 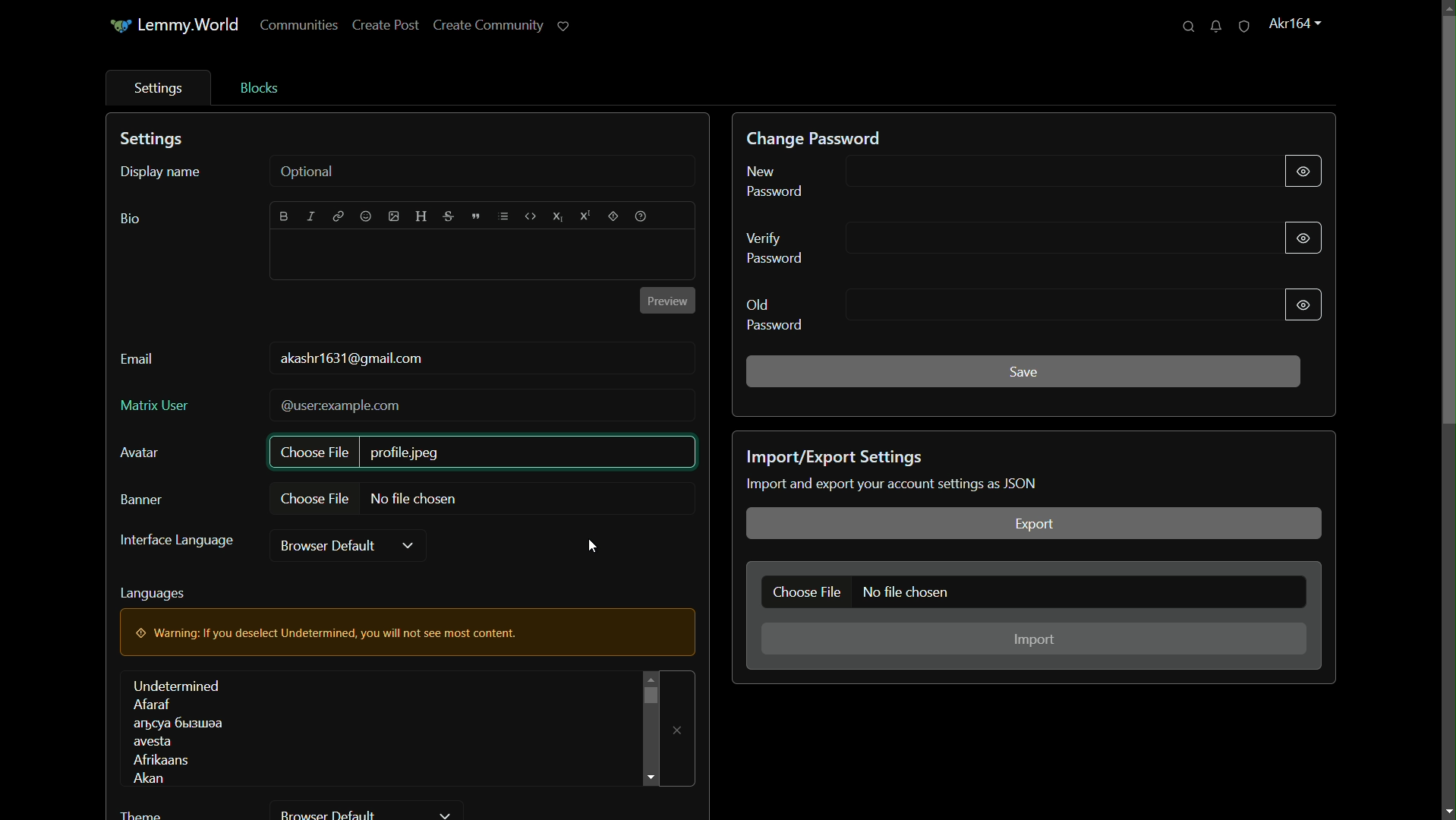 What do you see at coordinates (1294, 22) in the screenshot?
I see `profile name` at bounding box center [1294, 22].